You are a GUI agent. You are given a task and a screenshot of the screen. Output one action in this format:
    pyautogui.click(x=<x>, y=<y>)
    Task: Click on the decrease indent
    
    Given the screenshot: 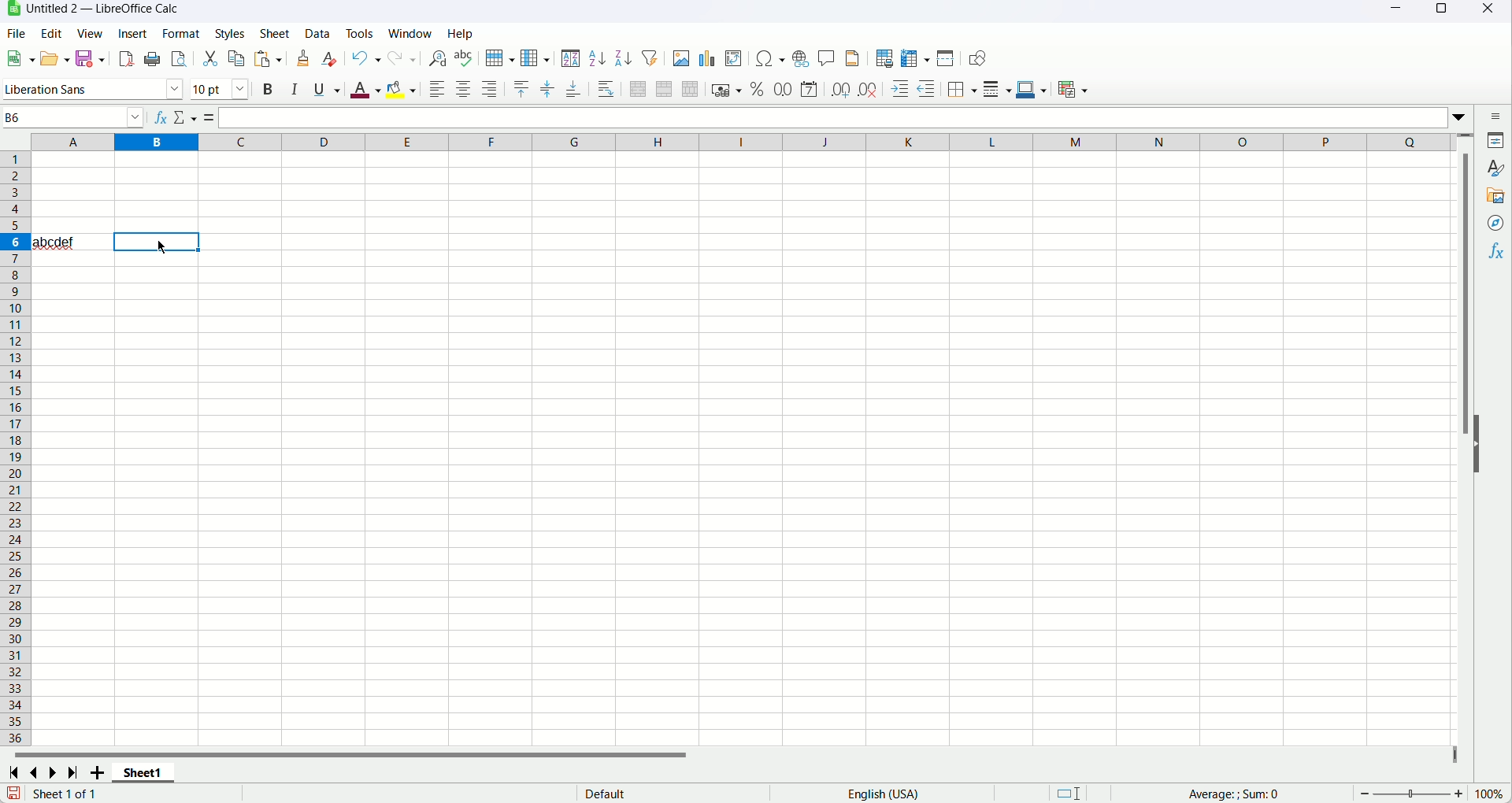 What is the action you would take?
    pyautogui.click(x=928, y=88)
    